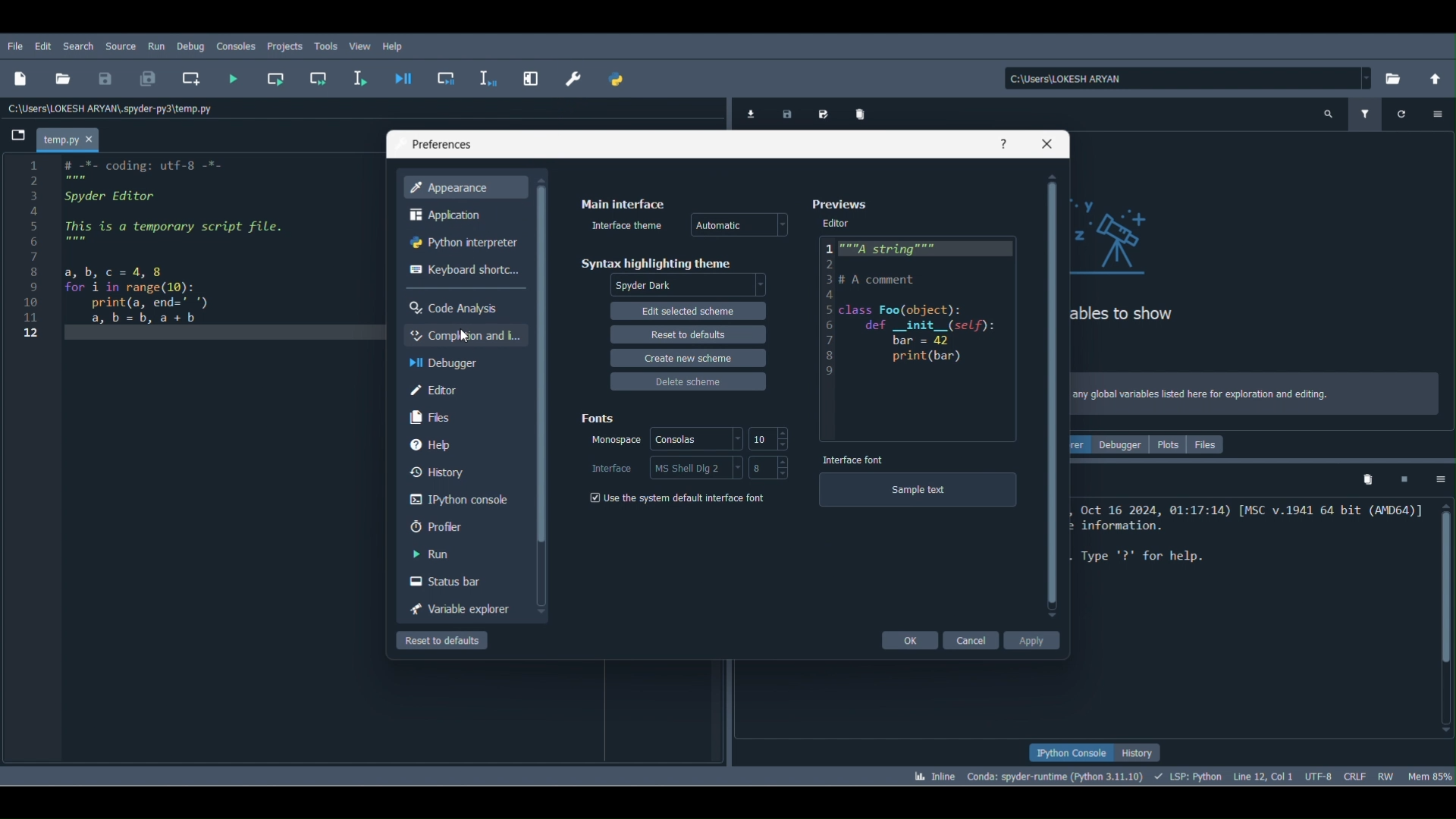 This screenshot has width=1456, height=819. I want to click on Completions, linting, code folding and symbols status, so click(1191, 776).